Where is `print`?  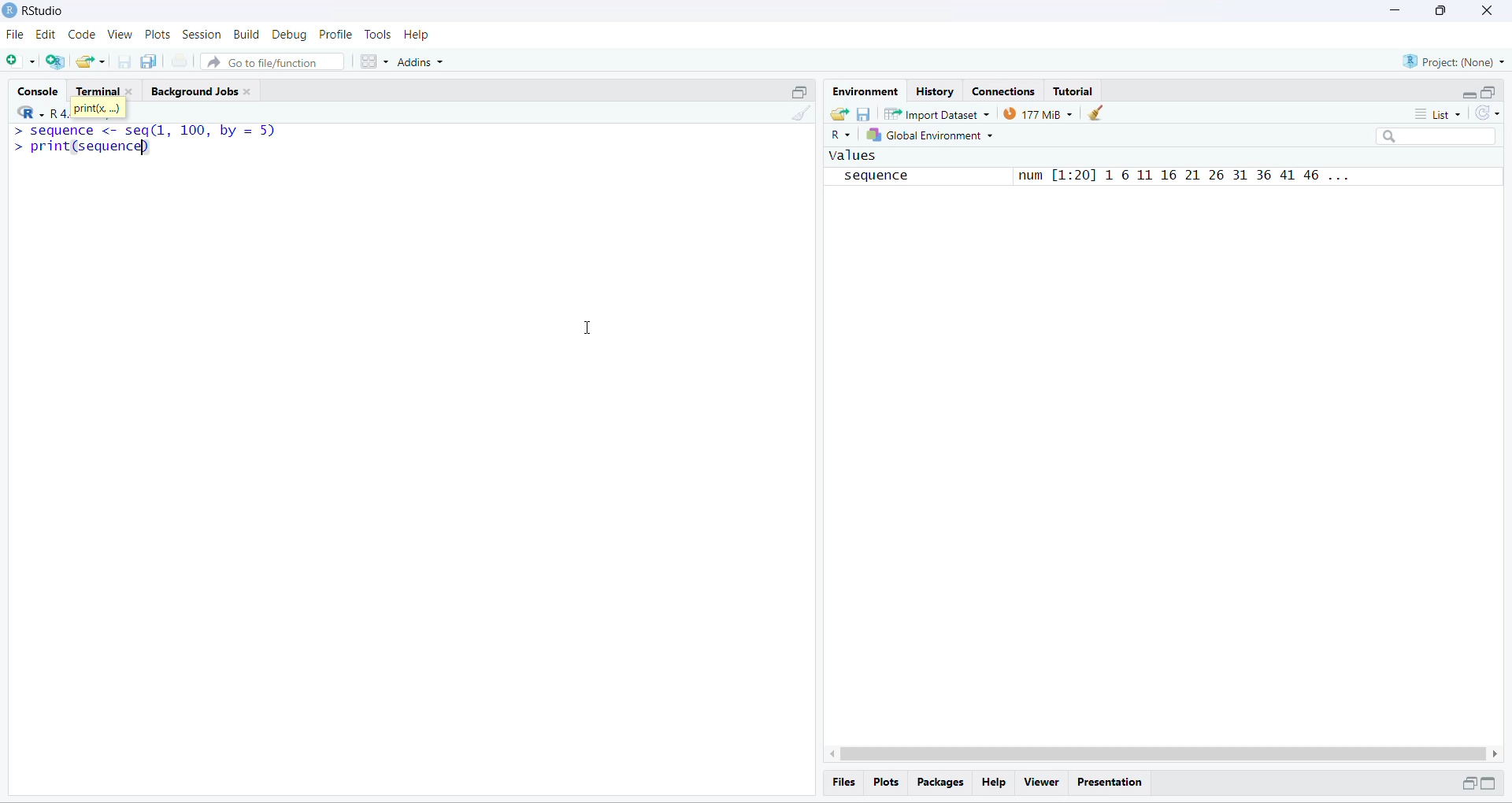 print is located at coordinates (180, 60).